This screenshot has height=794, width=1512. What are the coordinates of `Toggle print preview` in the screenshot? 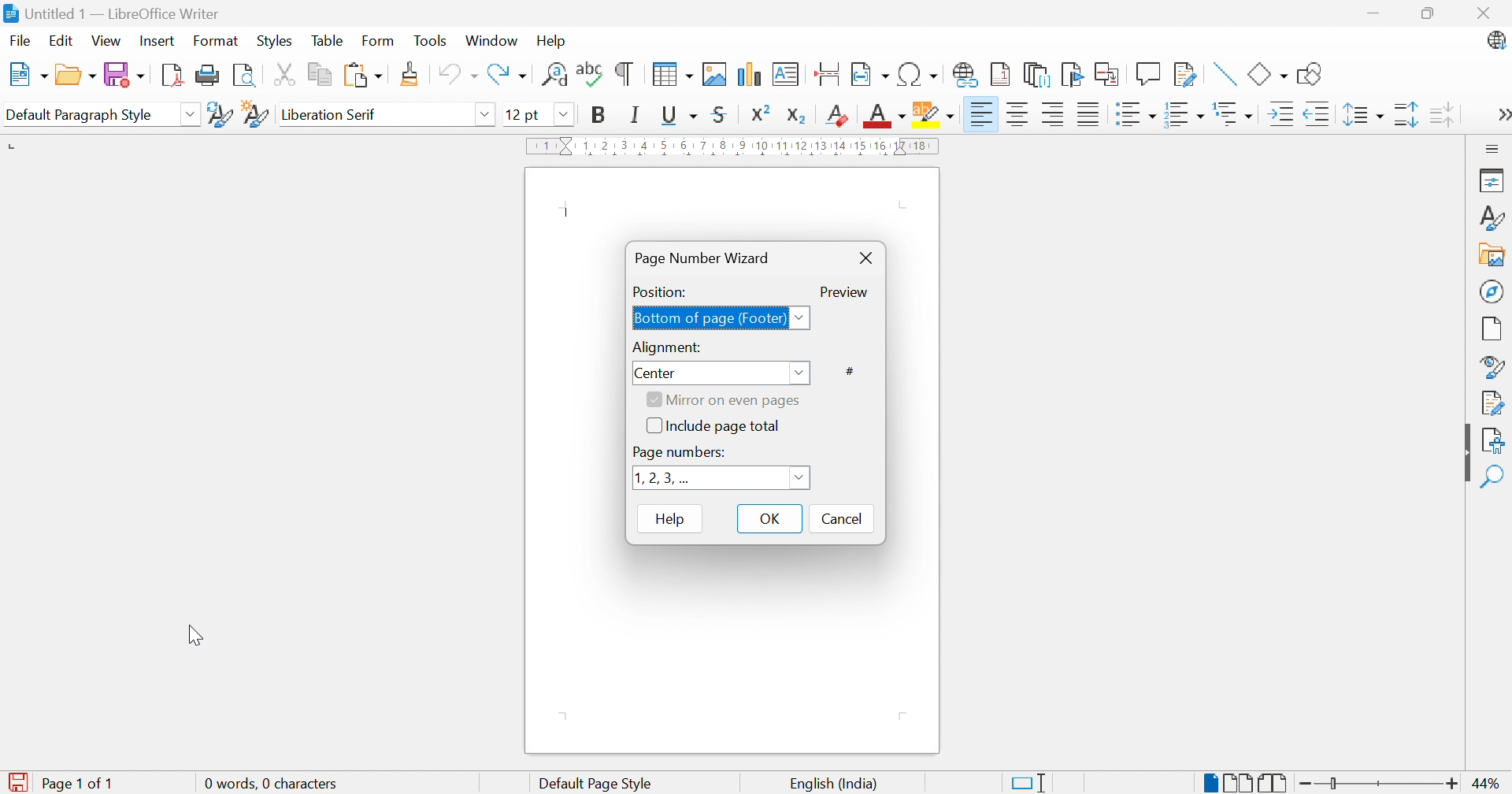 It's located at (248, 75).